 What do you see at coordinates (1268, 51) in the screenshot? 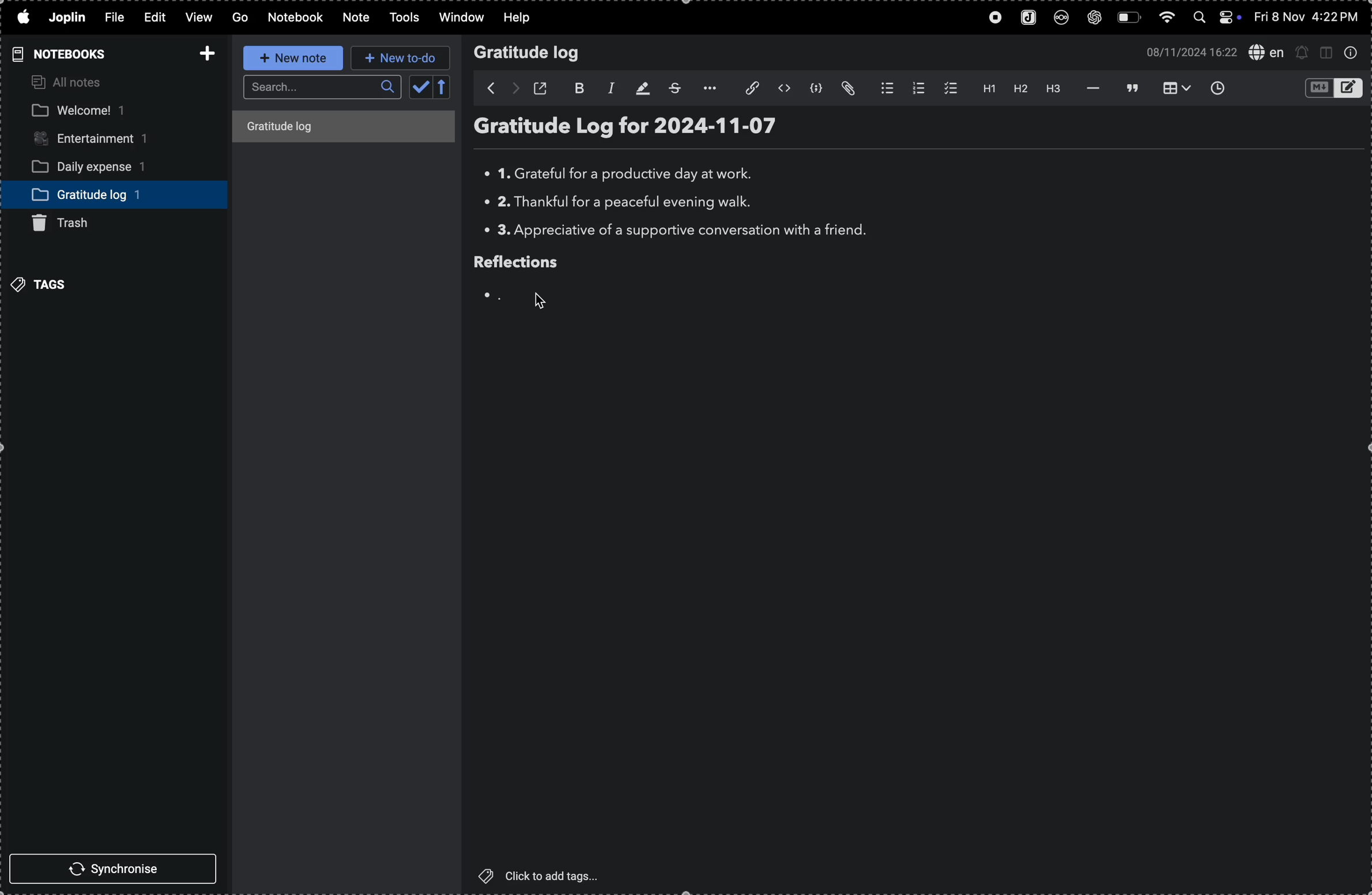
I see `spell check` at bounding box center [1268, 51].